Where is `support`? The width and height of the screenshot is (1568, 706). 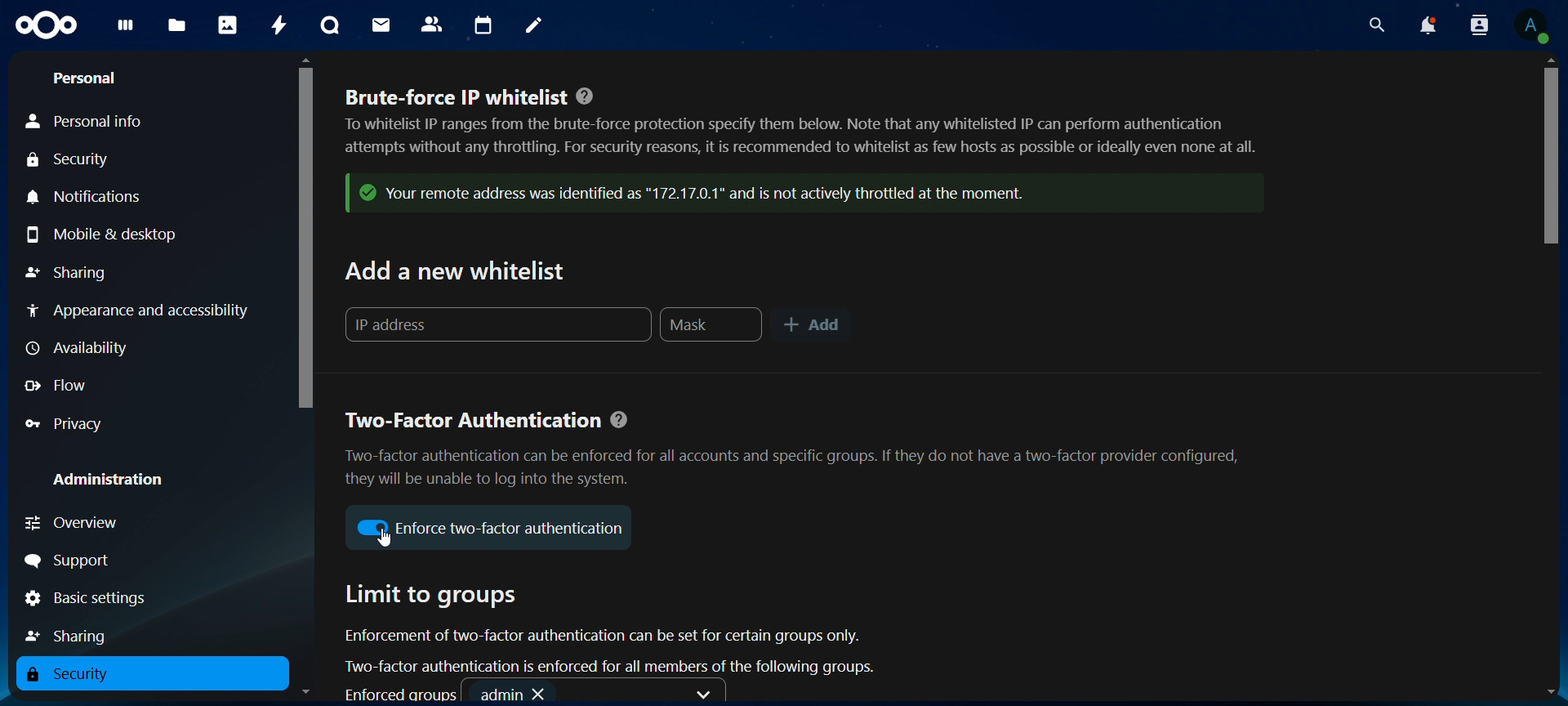 support is located at coordinates (71, 561).